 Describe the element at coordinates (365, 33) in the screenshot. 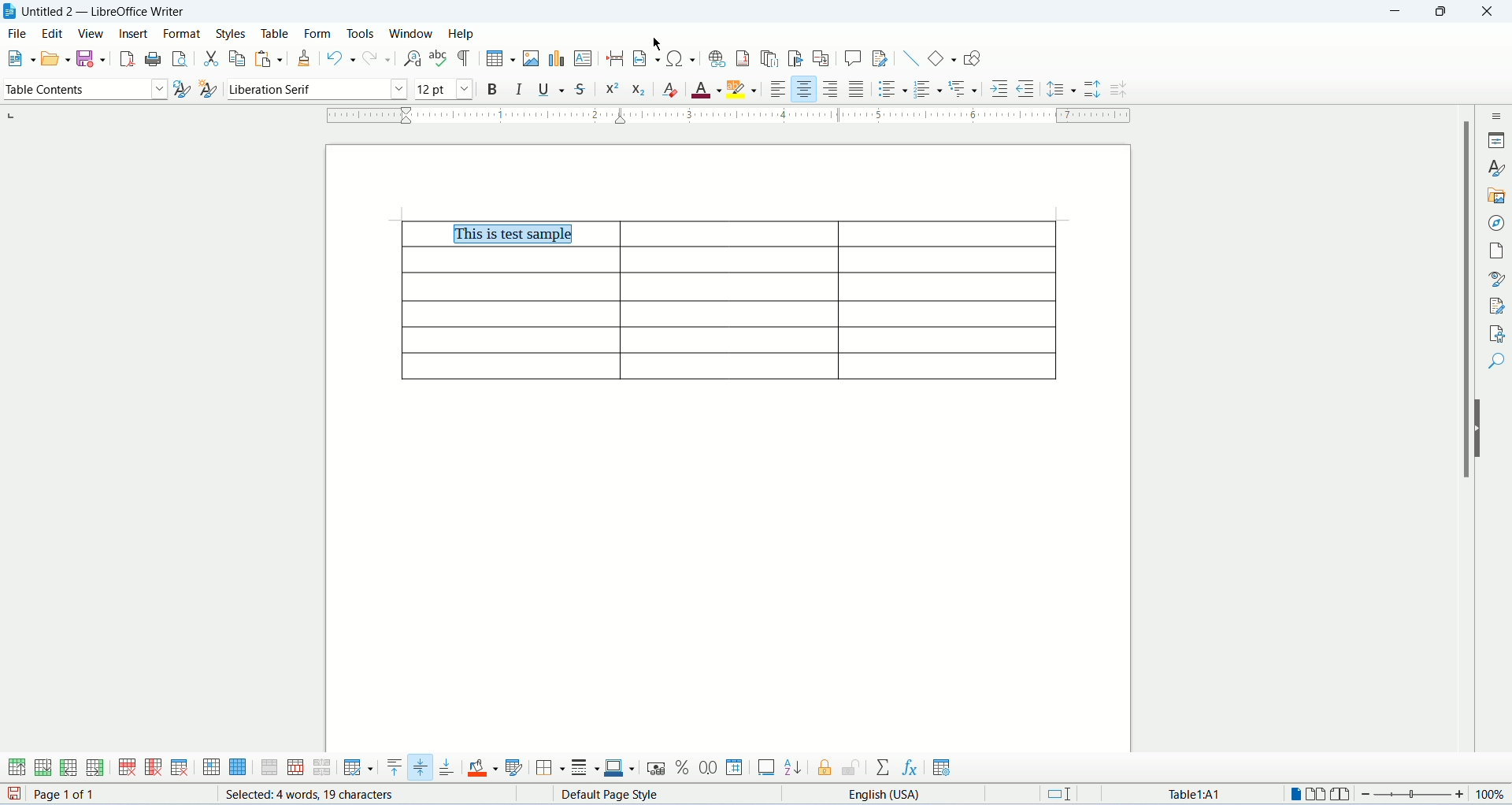

I see `tools` at that location.